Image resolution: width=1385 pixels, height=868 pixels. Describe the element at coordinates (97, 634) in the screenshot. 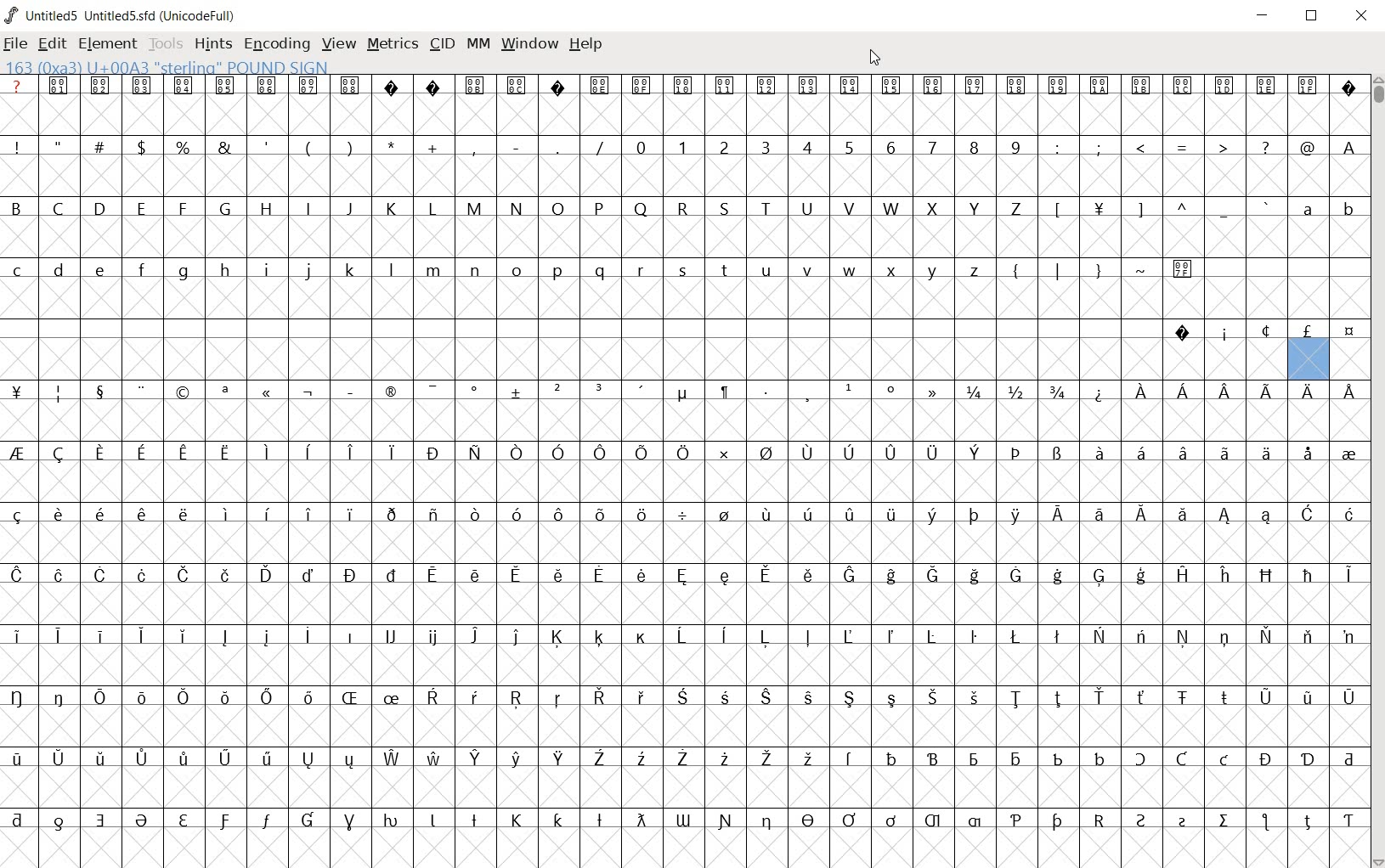

I see `Symbol` at that location.